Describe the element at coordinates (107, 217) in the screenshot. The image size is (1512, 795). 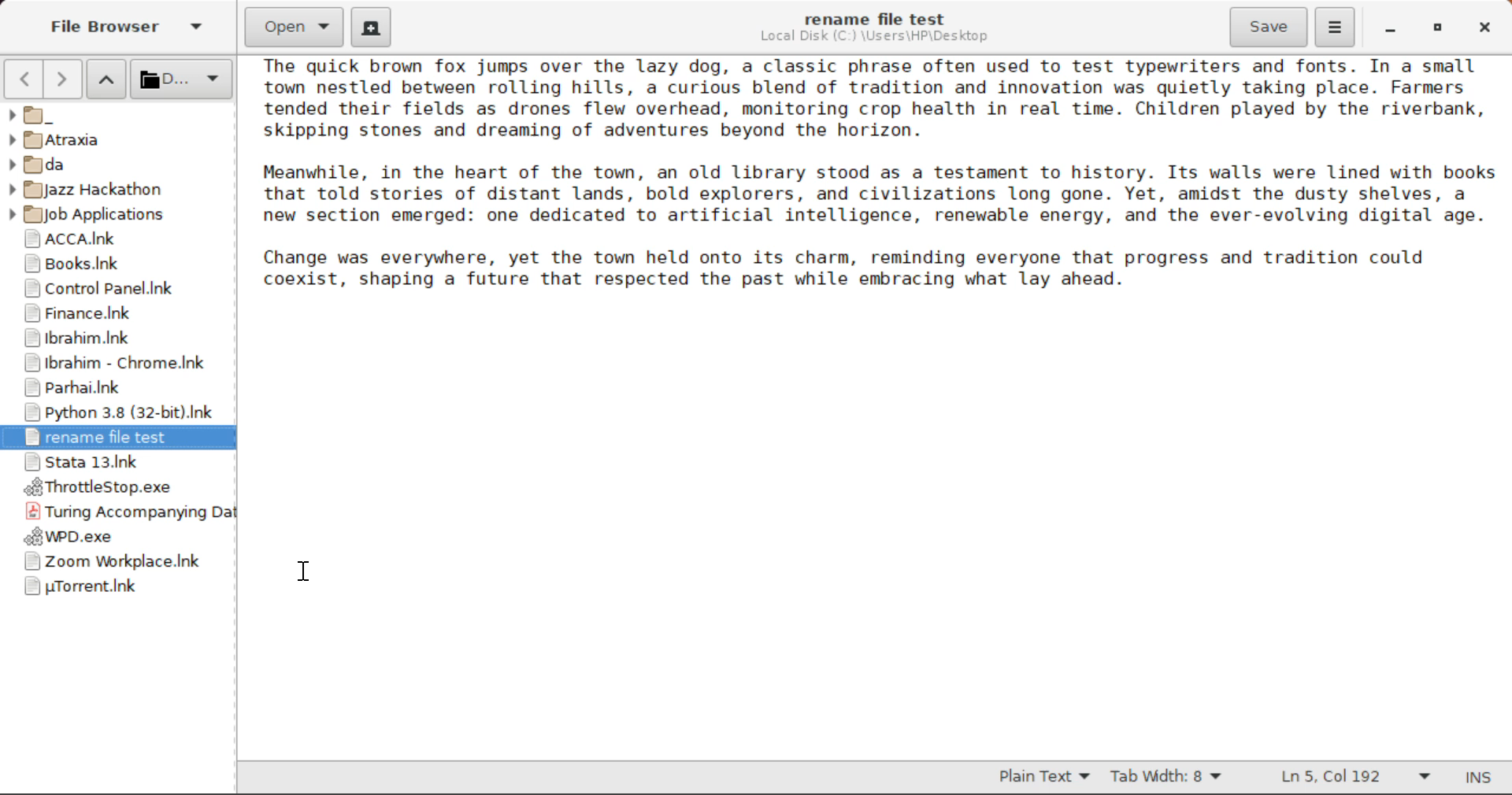
I see `Job Applications Folder` at that location.